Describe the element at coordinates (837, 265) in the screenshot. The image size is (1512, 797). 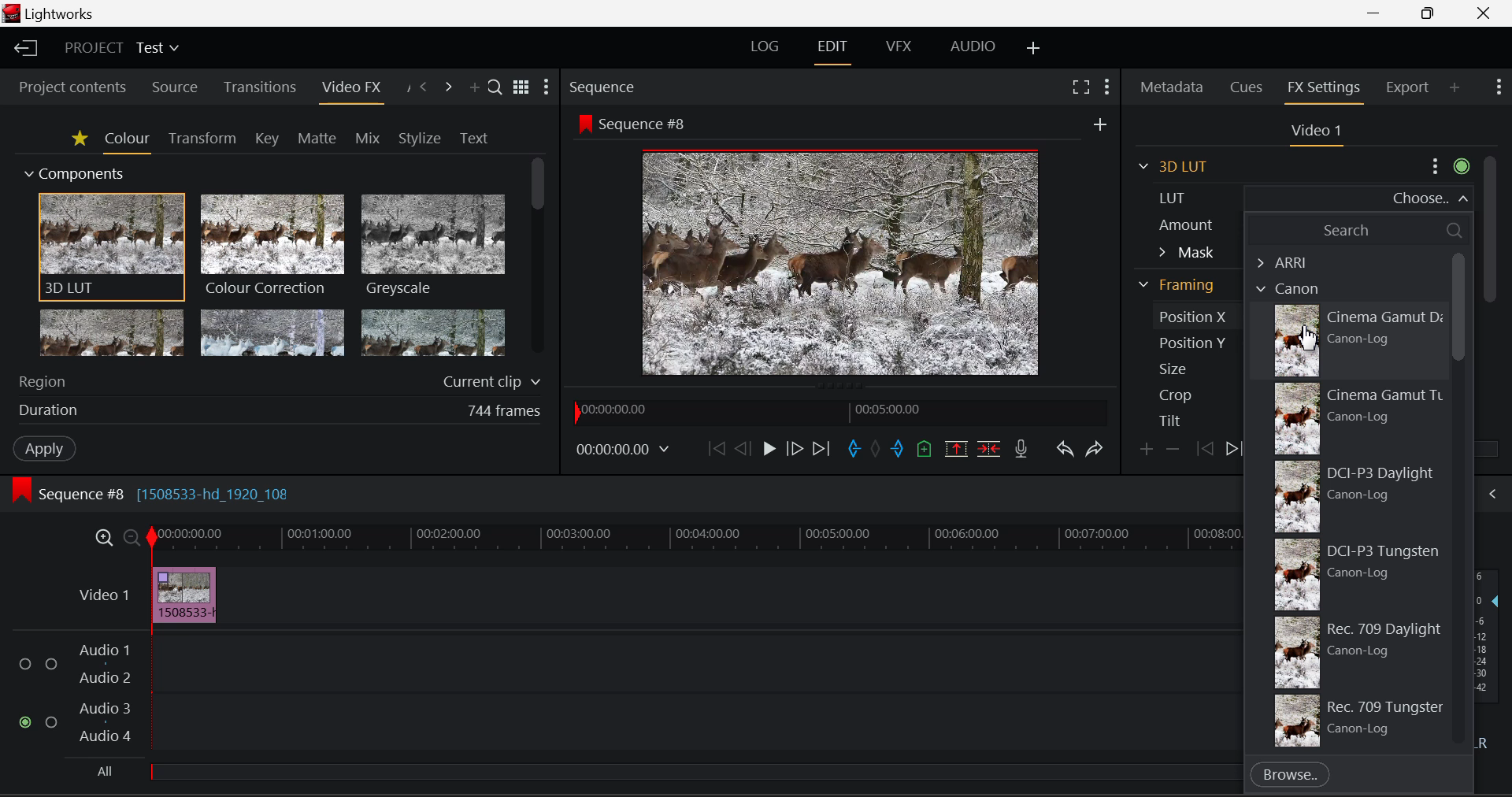
I see `Sequence Preview Screen` at that location.